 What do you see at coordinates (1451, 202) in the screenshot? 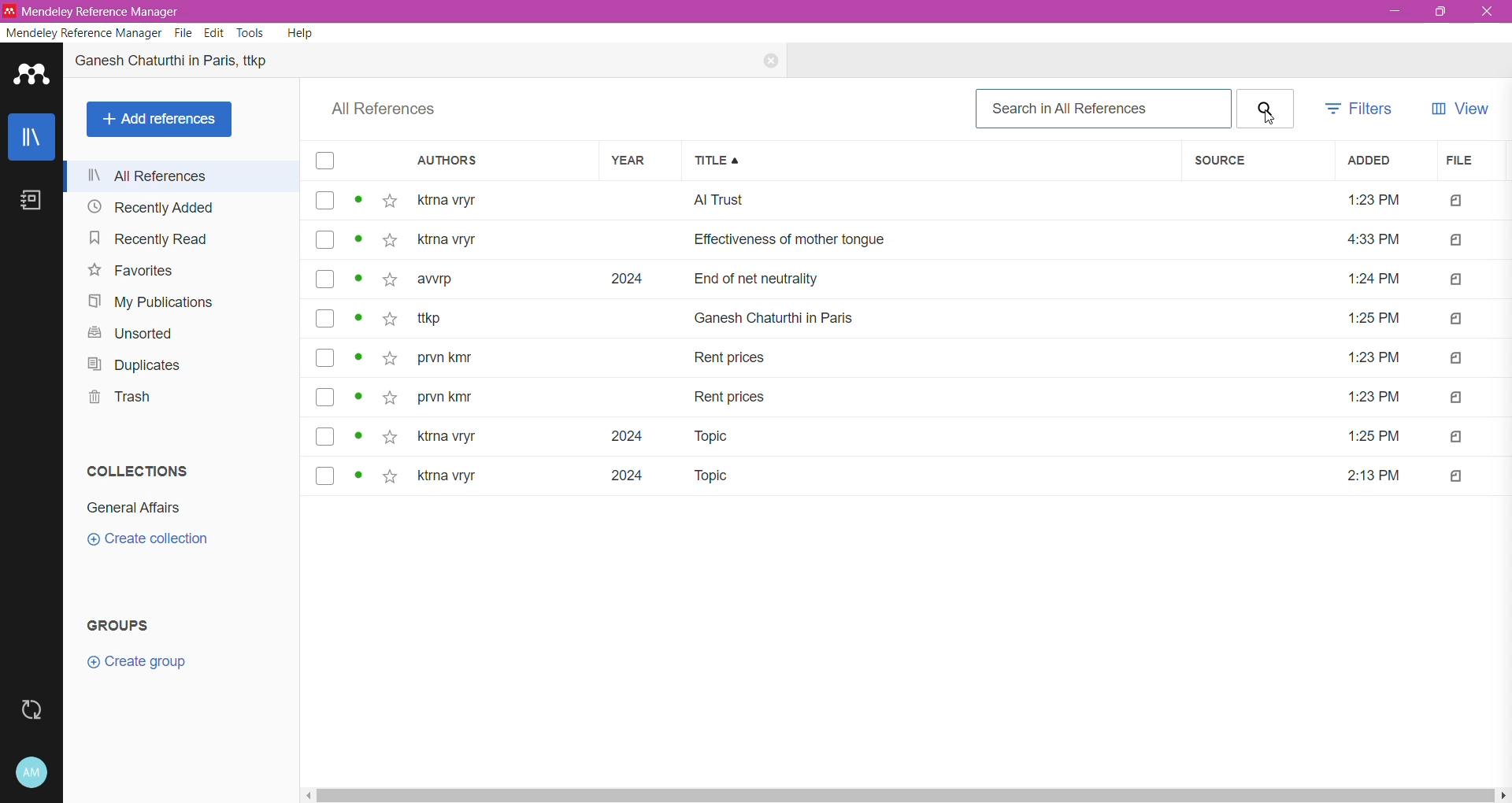
I see `file type` at bounding box center [1451, 202].